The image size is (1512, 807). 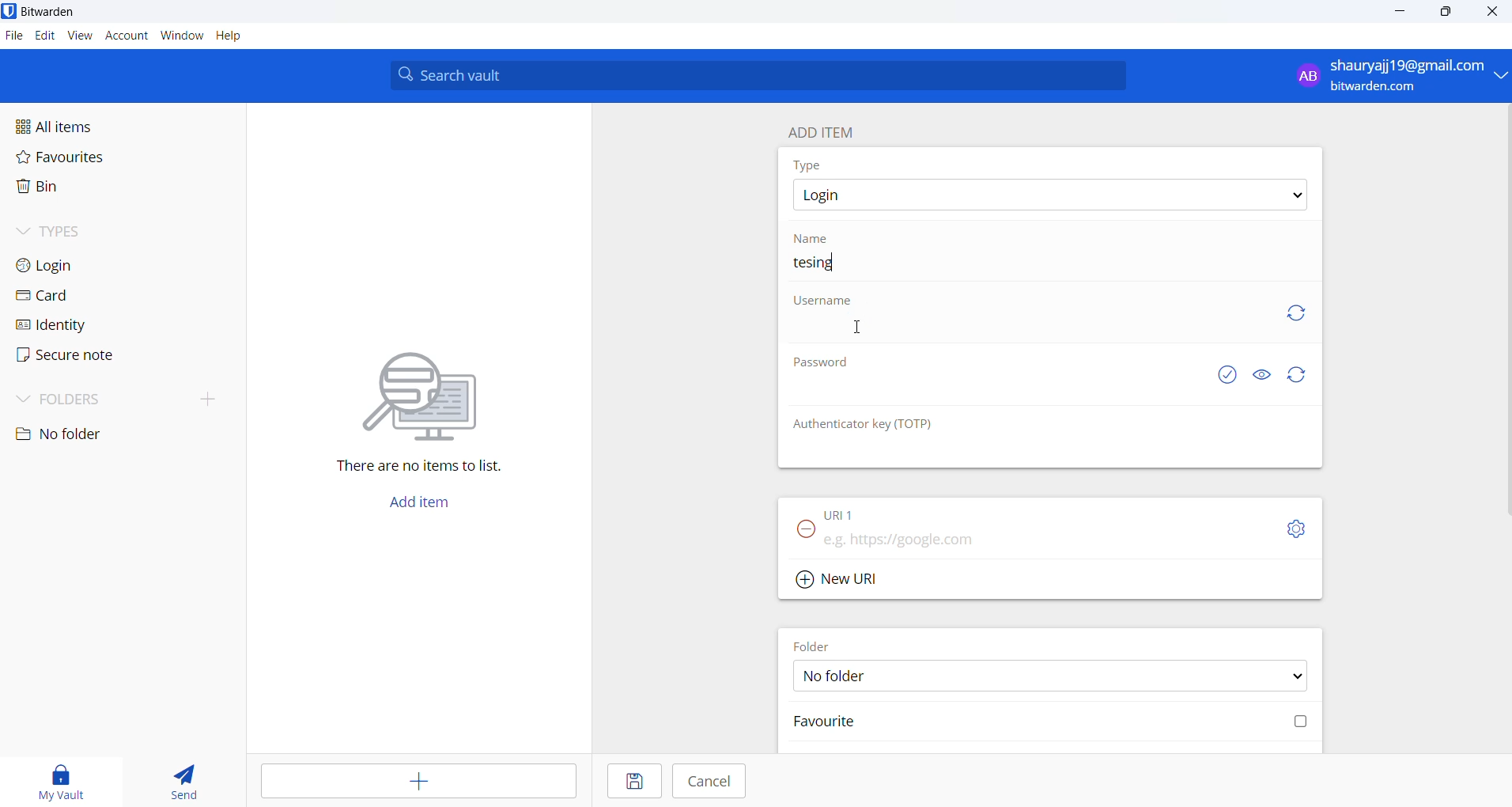 What do you see at coordinates (1262, 374) in the screenshot?
I see `show and hide` at bounding box center [1262, 374].